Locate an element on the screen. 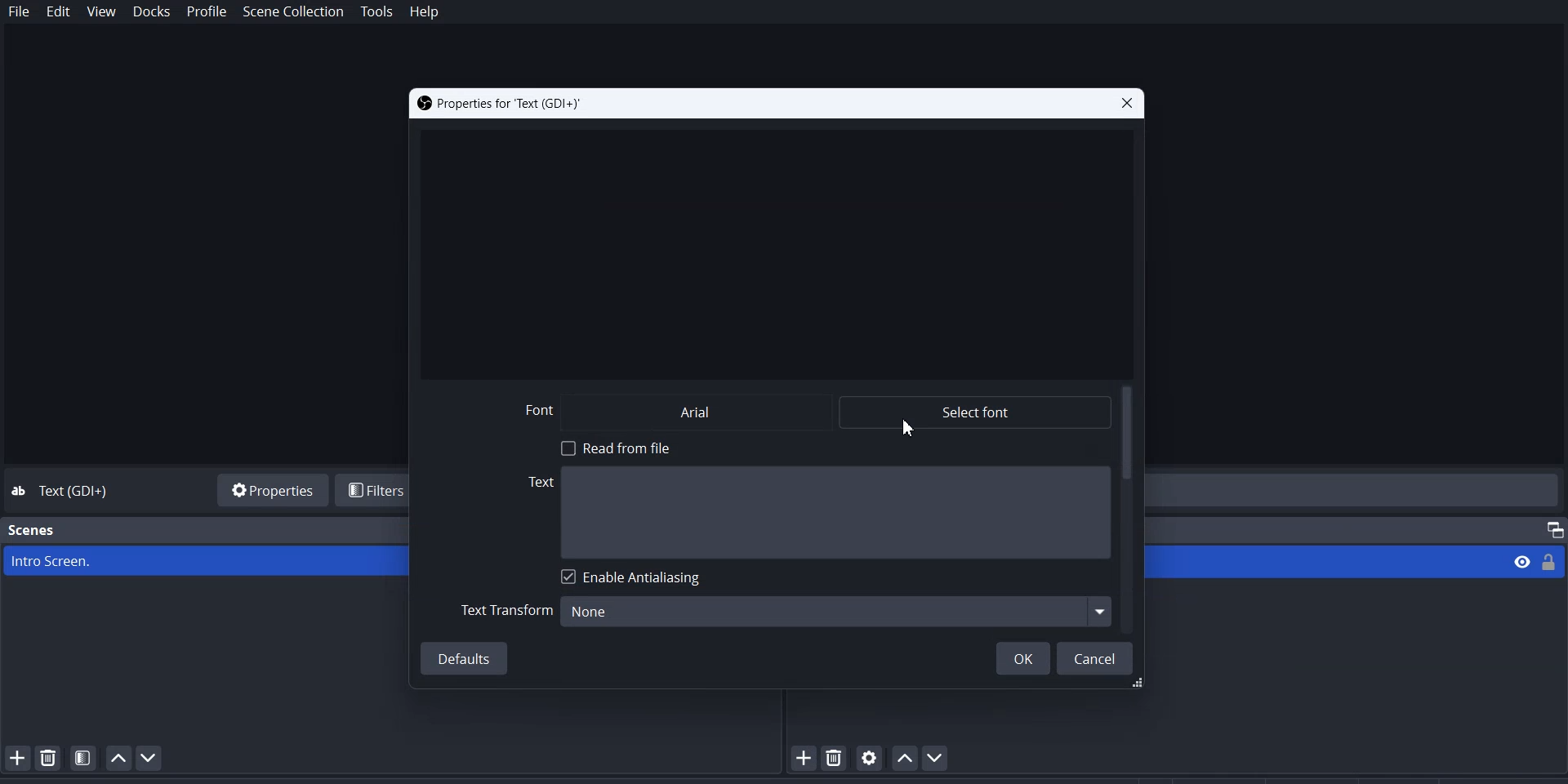 Image resolution: width=1568 pixels, height=784 pixels. Remove selected Source is located at coordinates (836, 757).